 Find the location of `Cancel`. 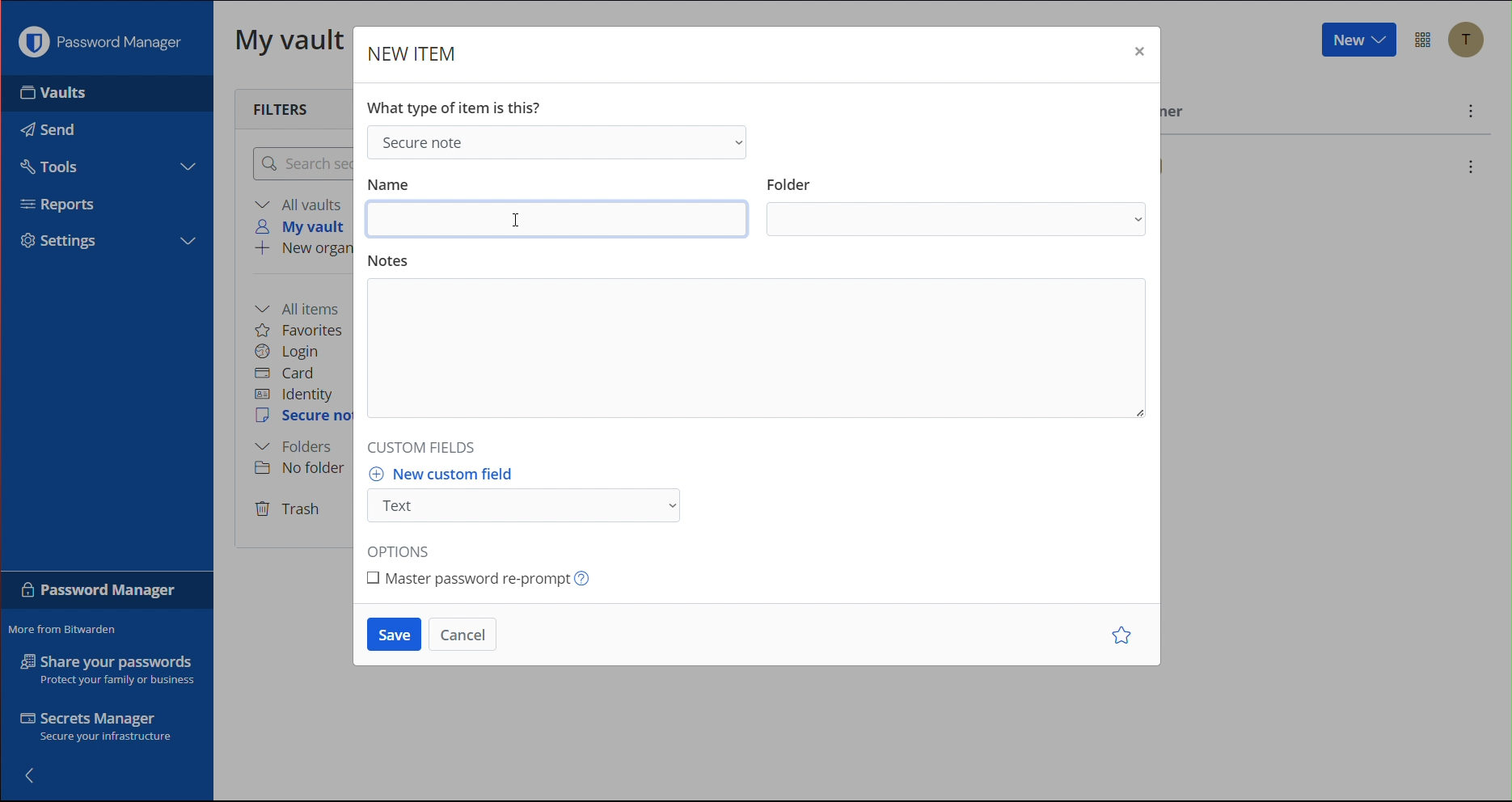

Cancel is located at coordinates (463, 635).